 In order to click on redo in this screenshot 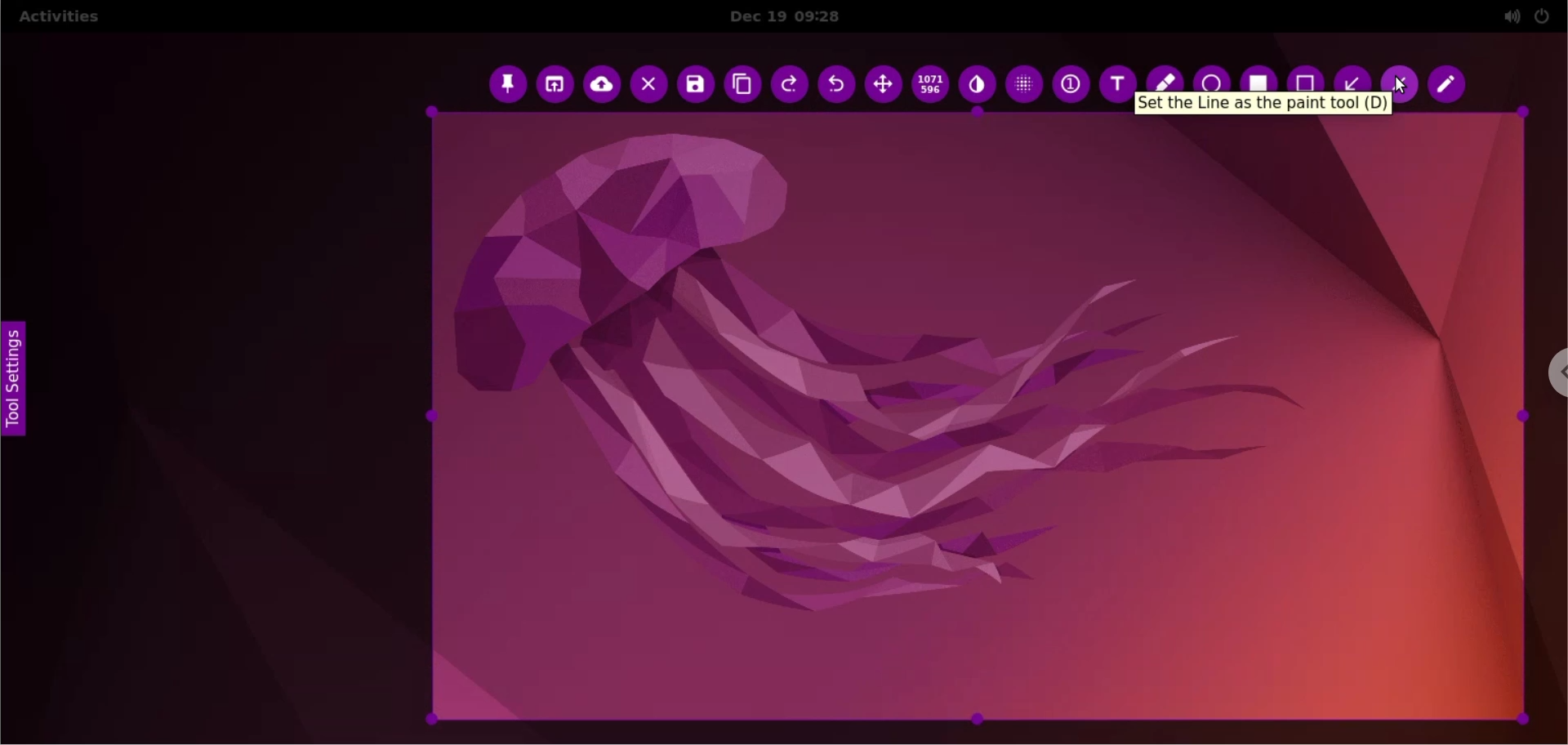, I will do `click(793, 85)`.